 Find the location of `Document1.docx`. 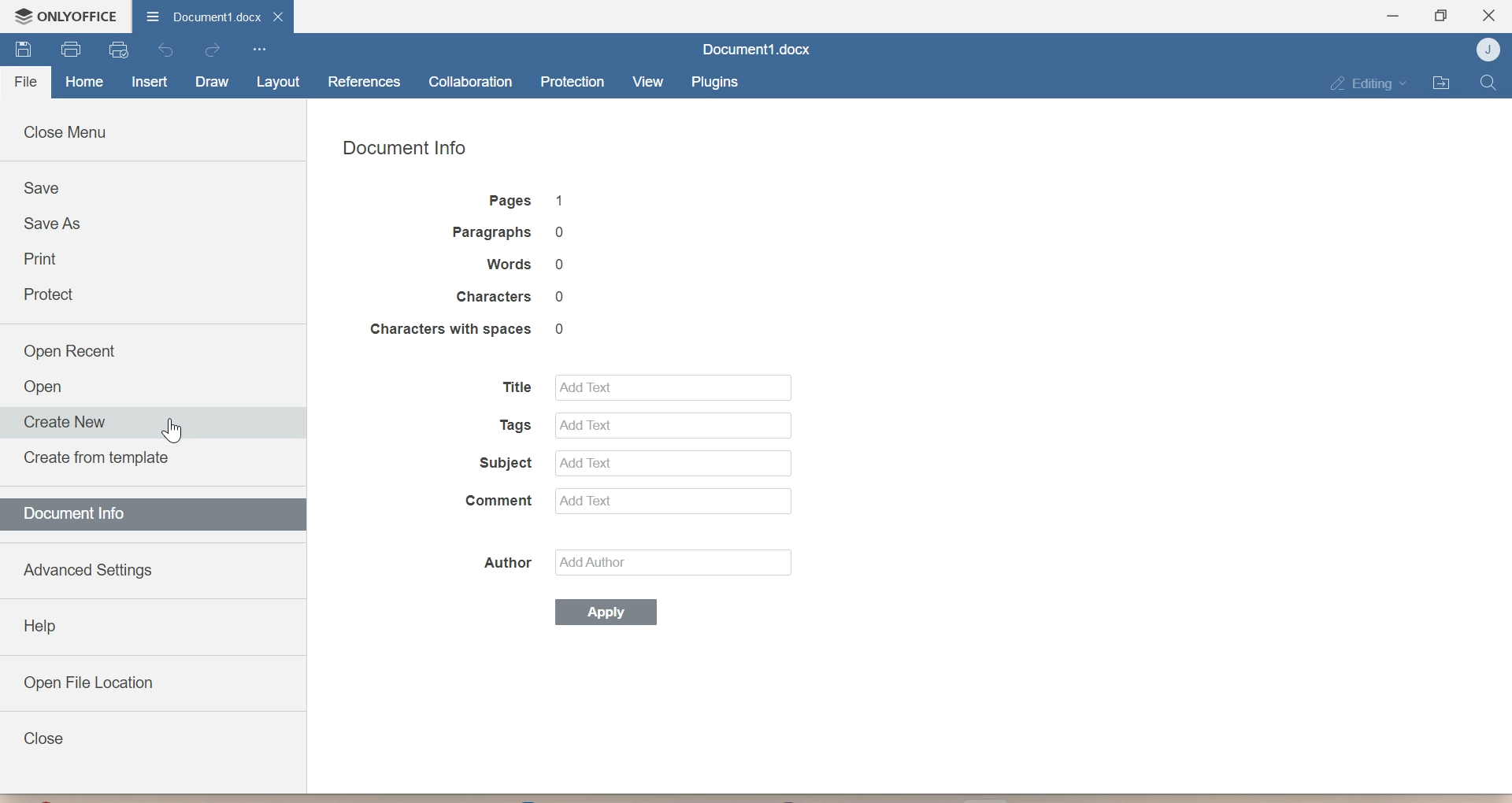

Document1.docx is located at coordinates (752, 50).